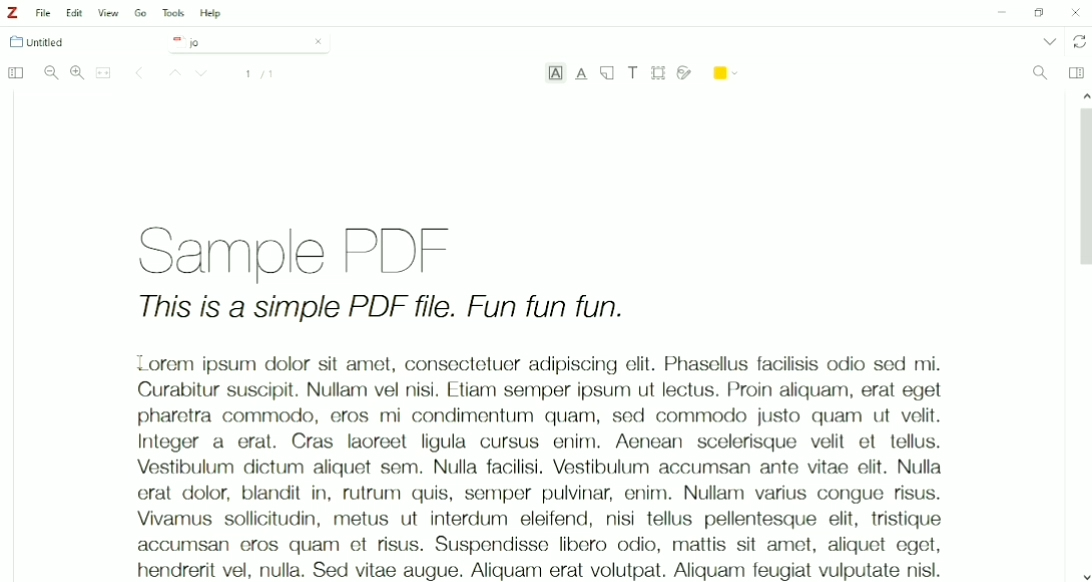 Image resolution: width=1092 pixels, height=582 pixels. Describe the element at coordinates (44, 13) in the screenshot. I see `File` at that location.